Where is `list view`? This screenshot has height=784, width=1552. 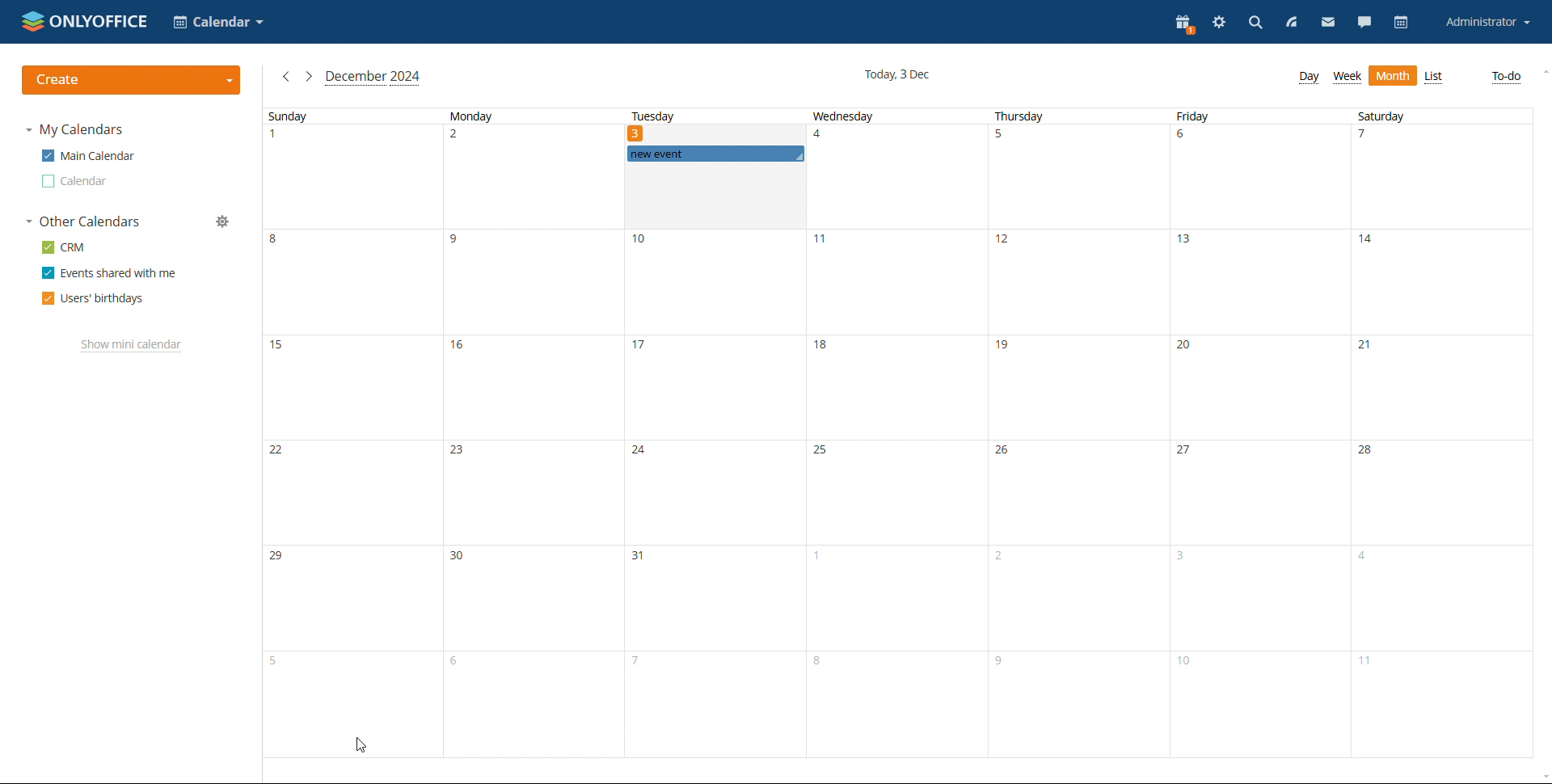 list view is located at coordinates (1435, 78).